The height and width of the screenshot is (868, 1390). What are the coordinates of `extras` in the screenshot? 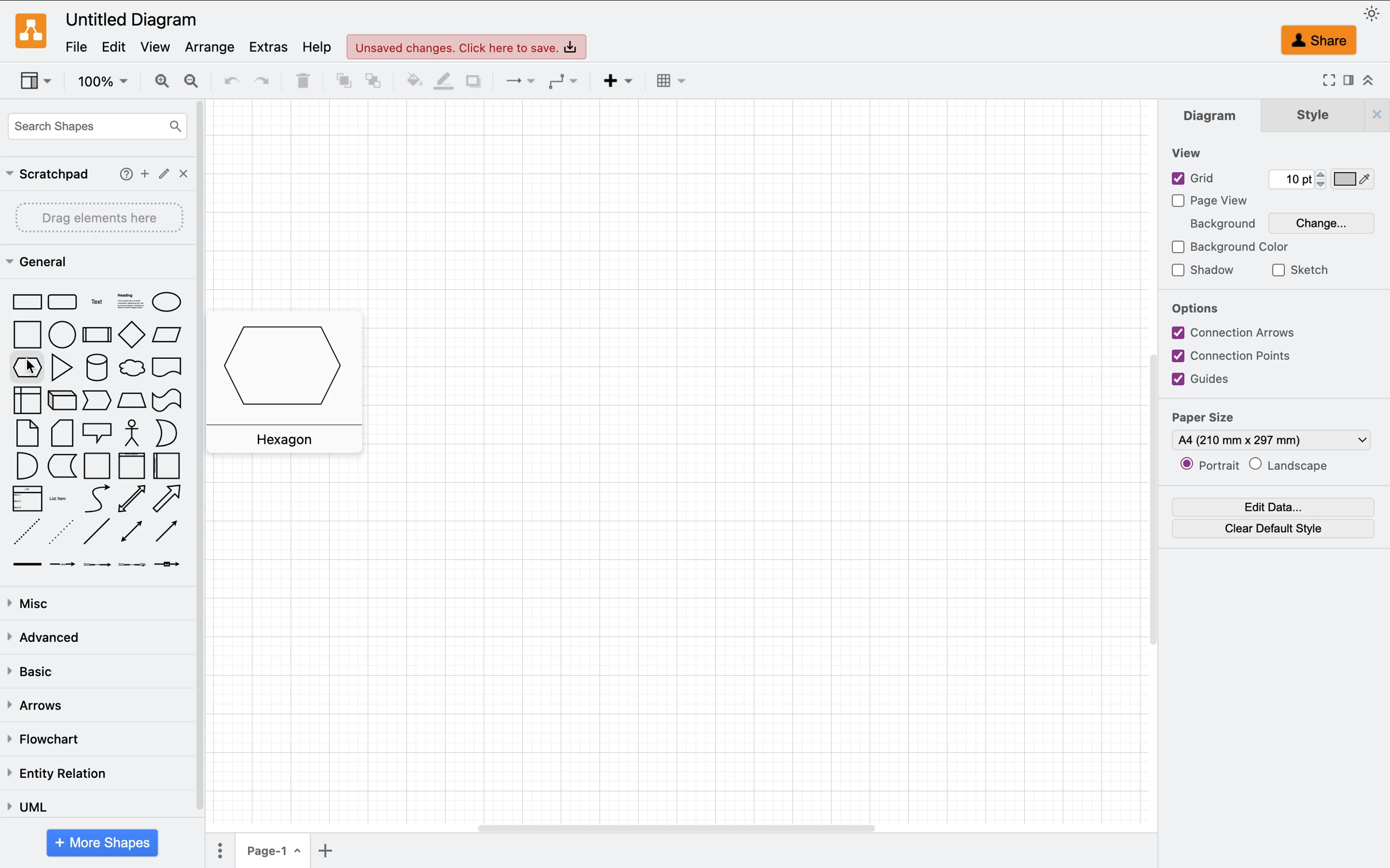 It's located at (267, 45).